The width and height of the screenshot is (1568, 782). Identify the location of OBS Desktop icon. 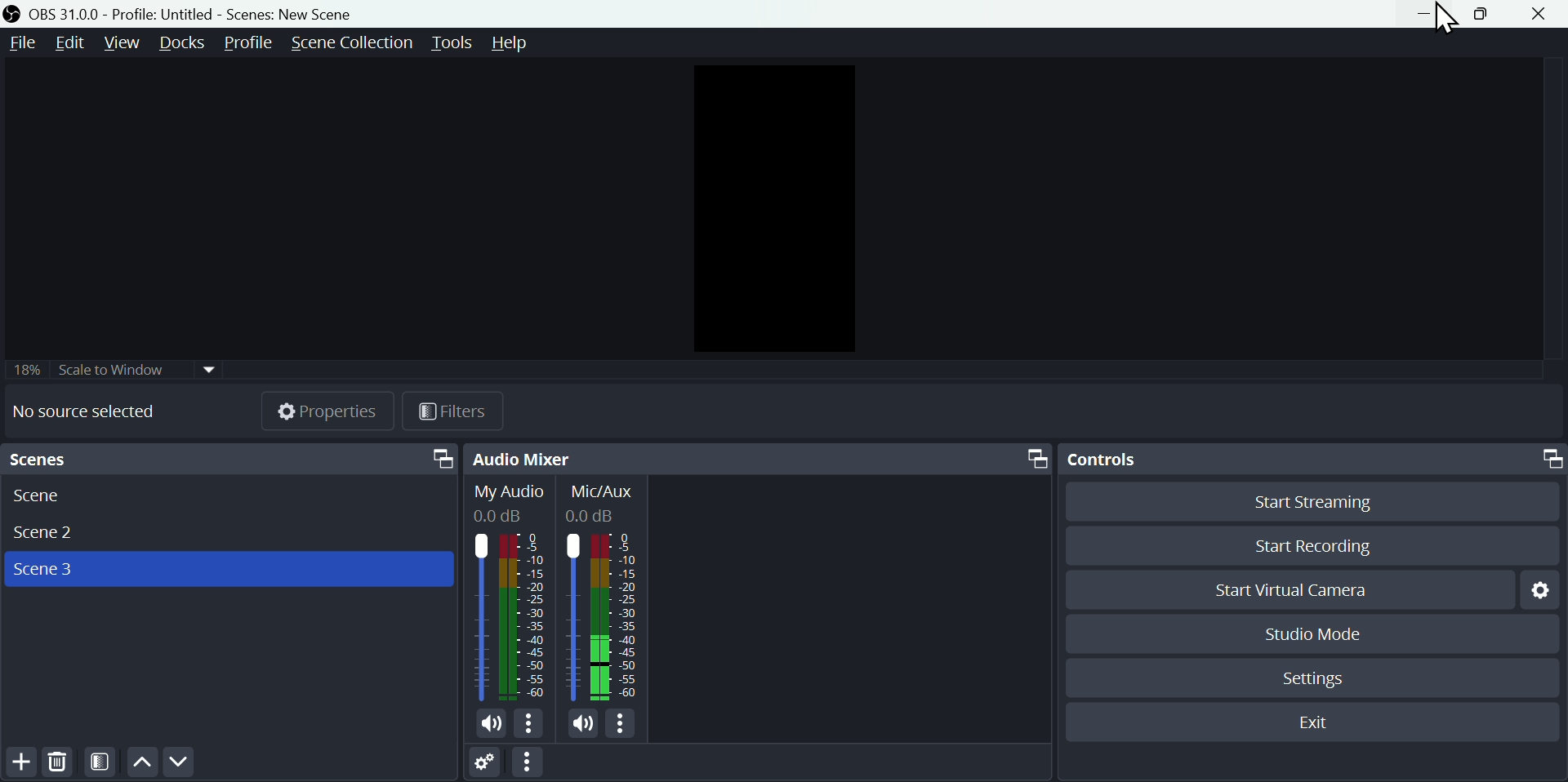
(13, 13).